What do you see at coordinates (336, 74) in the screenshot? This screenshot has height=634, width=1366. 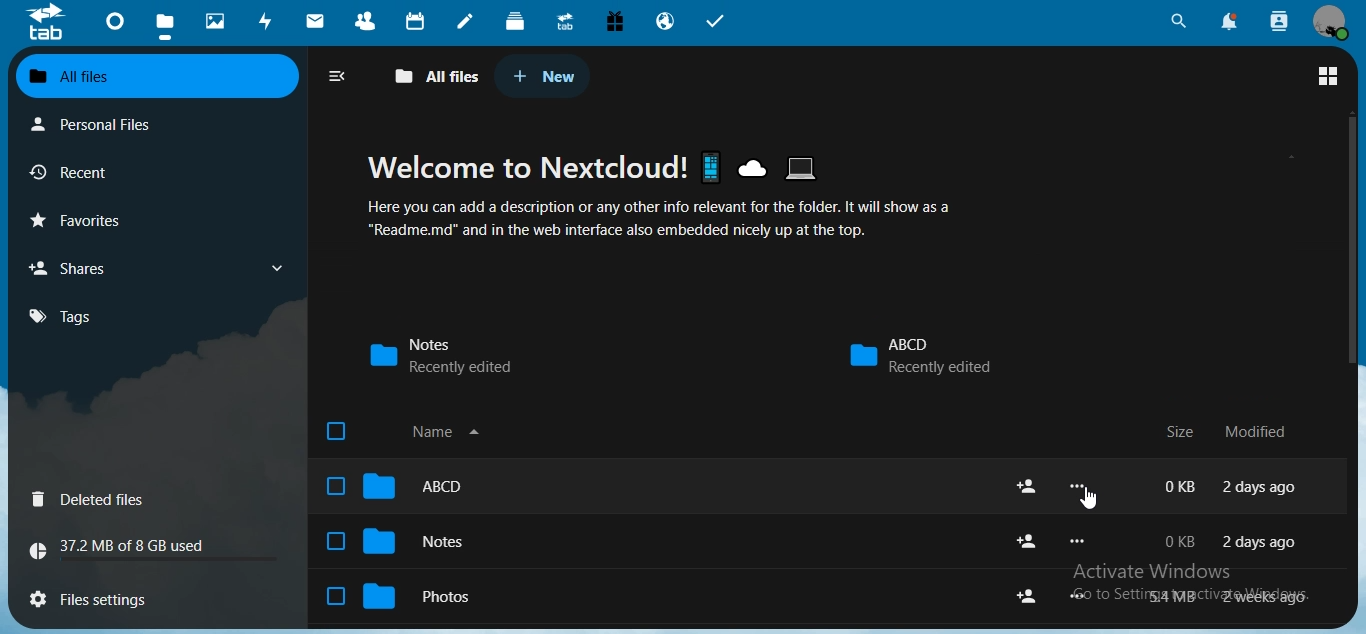 I see `close navigation` at bounding box center [336, 74].